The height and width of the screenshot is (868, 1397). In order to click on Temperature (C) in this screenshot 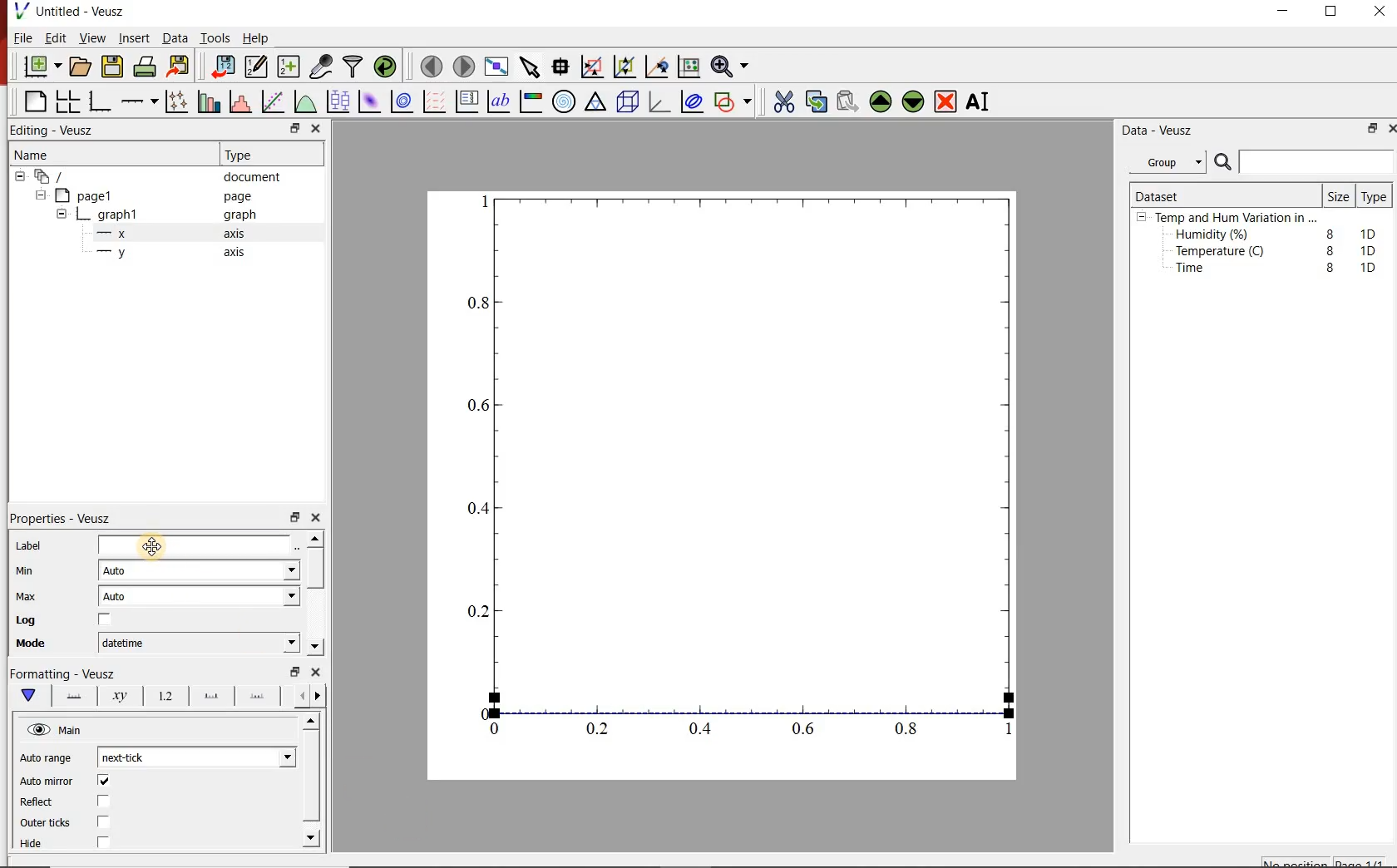, I will do `click(1223, 253)`.